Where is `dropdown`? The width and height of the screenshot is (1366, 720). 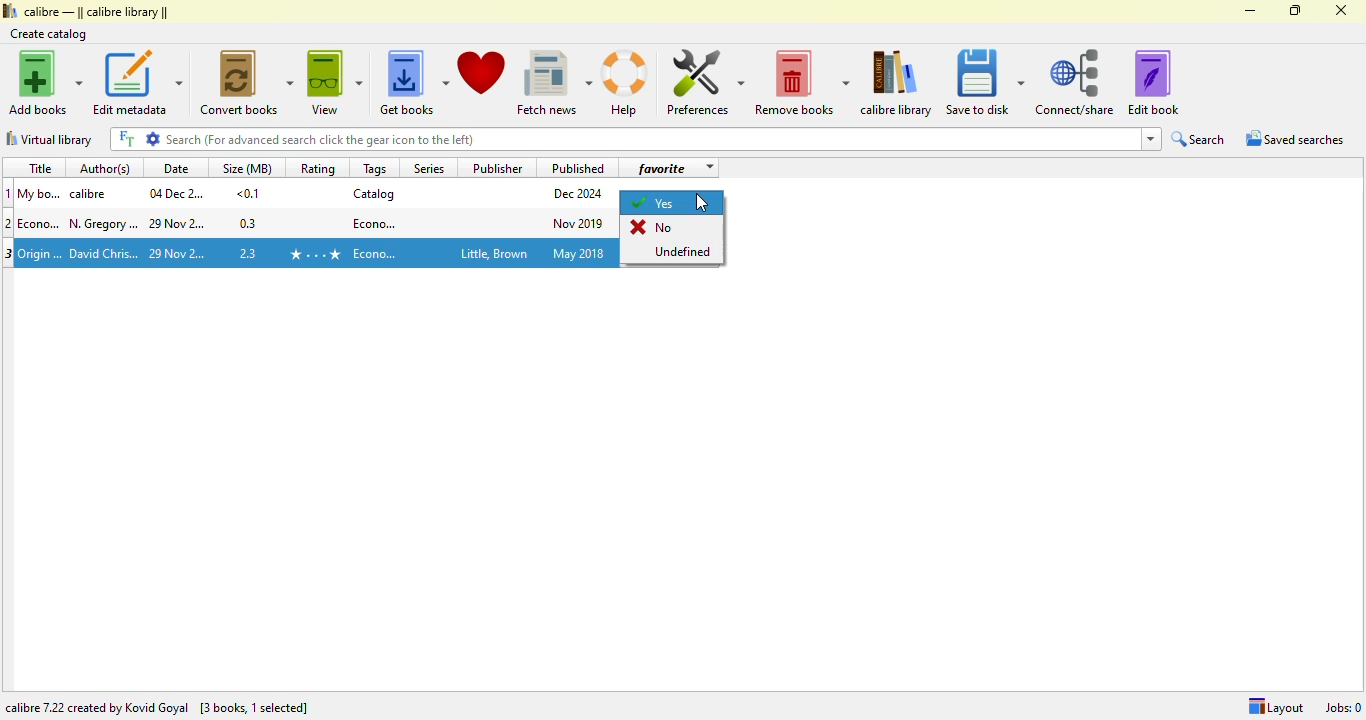 dropdown is located at coordinates (1150, 139).